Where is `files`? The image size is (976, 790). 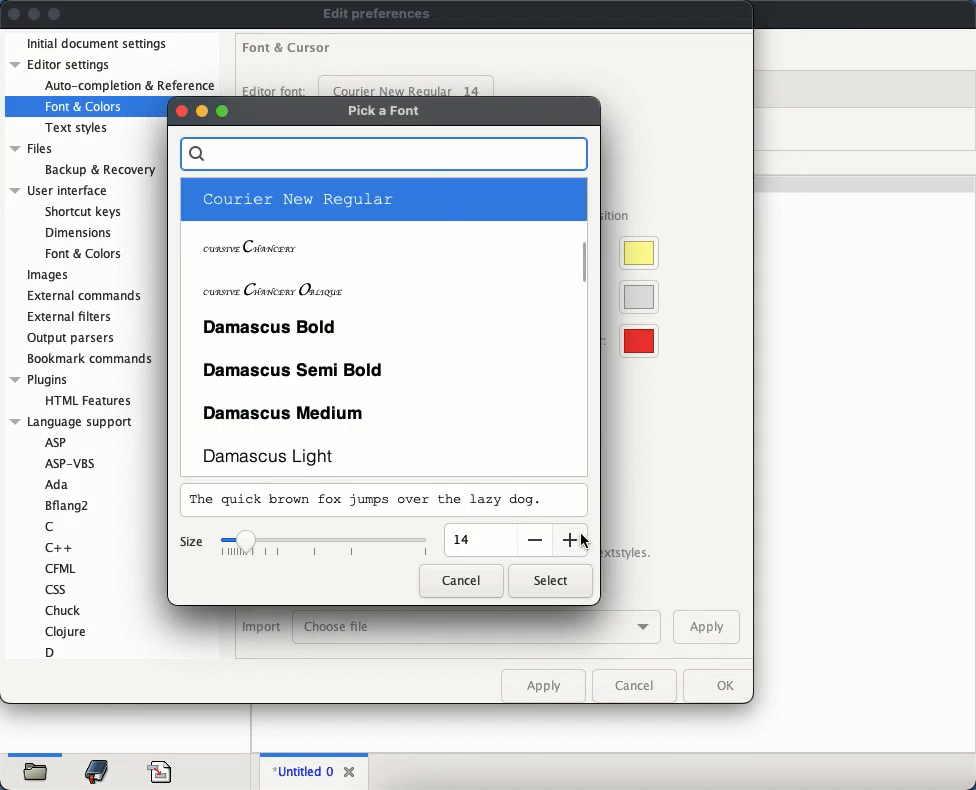 files is located at coordinates (34, 150).